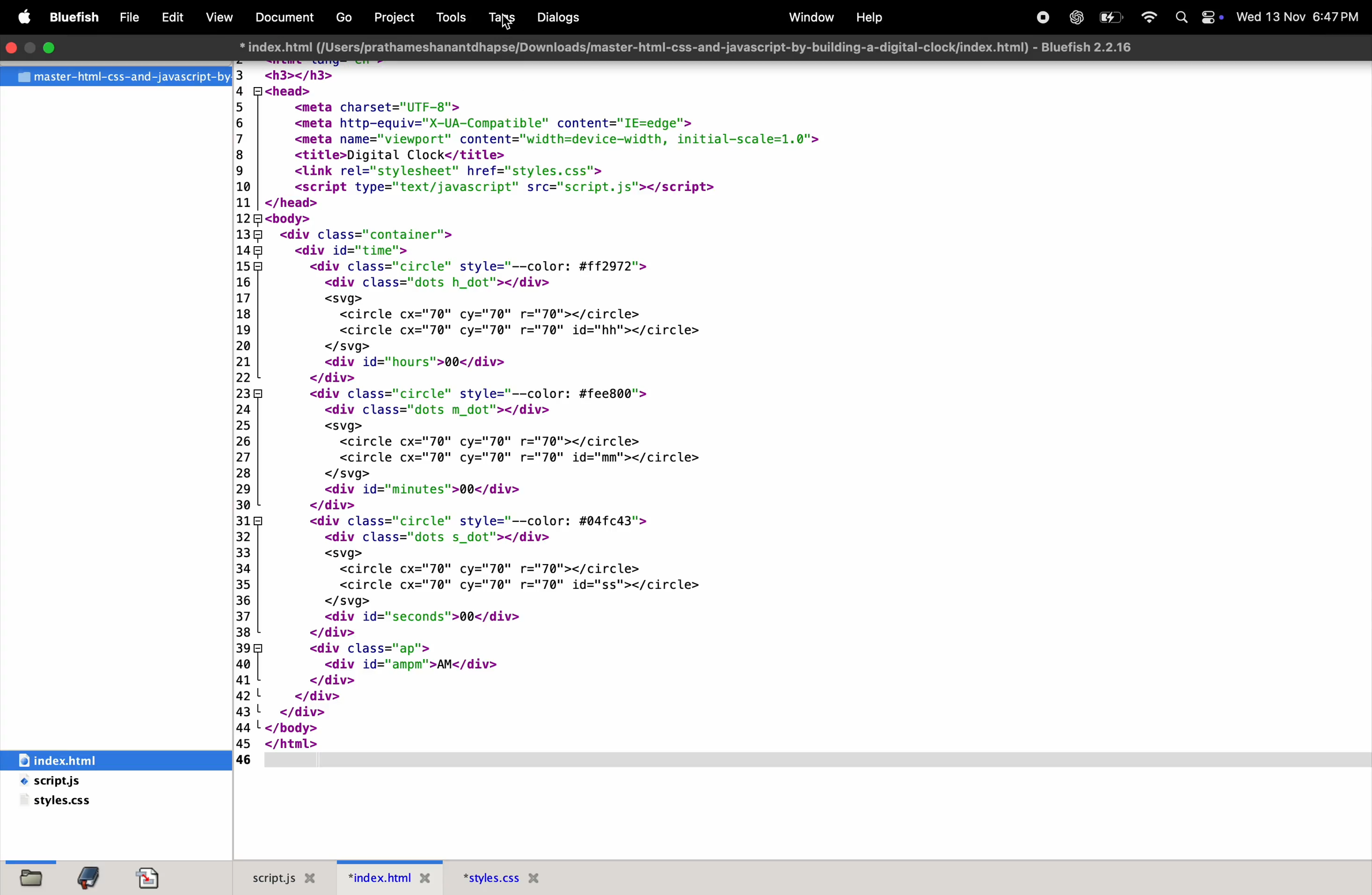 The image size is (1372, 895). Describe the element at coordinates (1212, 17) in the screenshot. I see `Control center` at that location.